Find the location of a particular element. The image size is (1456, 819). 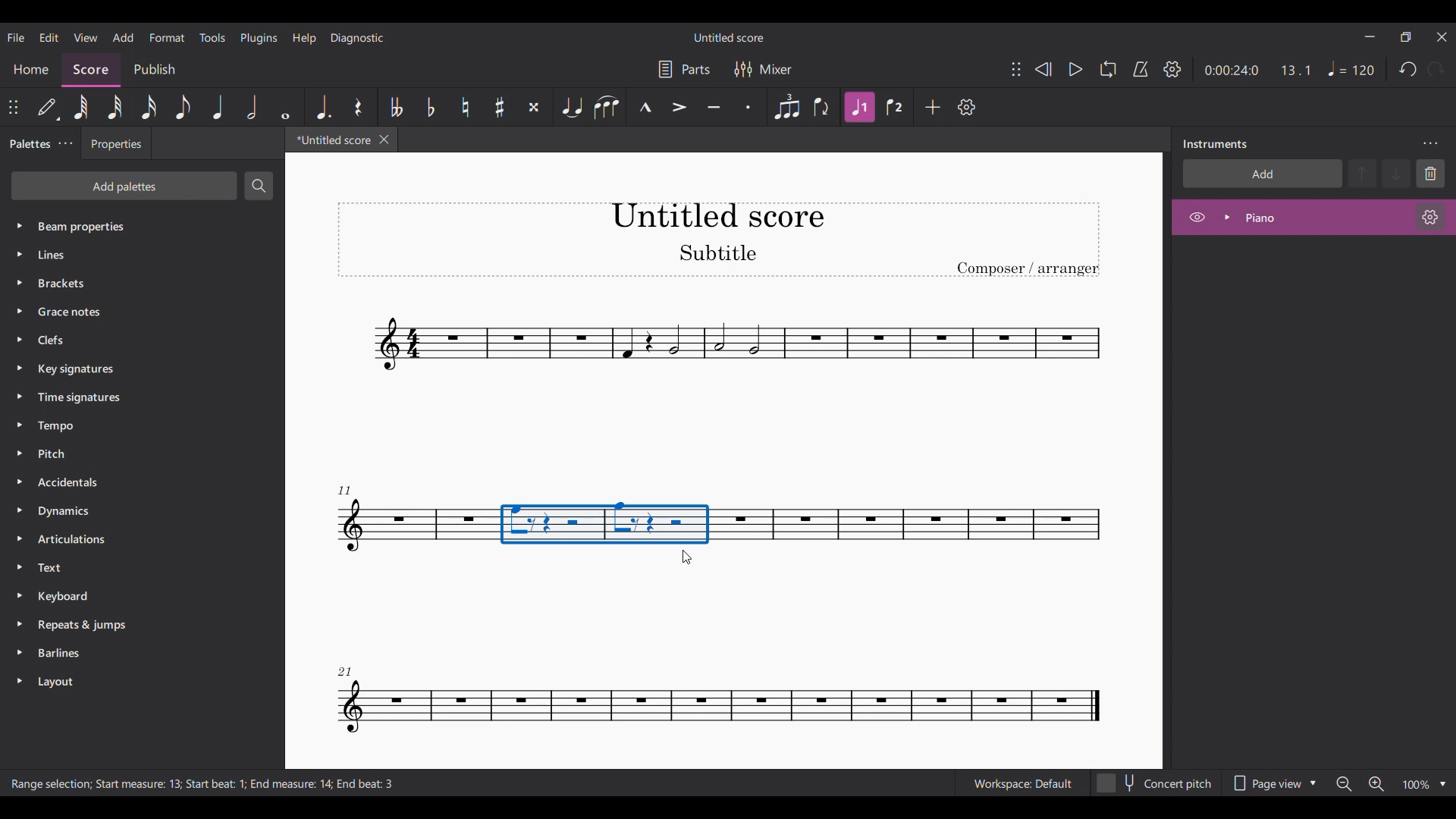

Edit menu is located at coordinates (49, 37).